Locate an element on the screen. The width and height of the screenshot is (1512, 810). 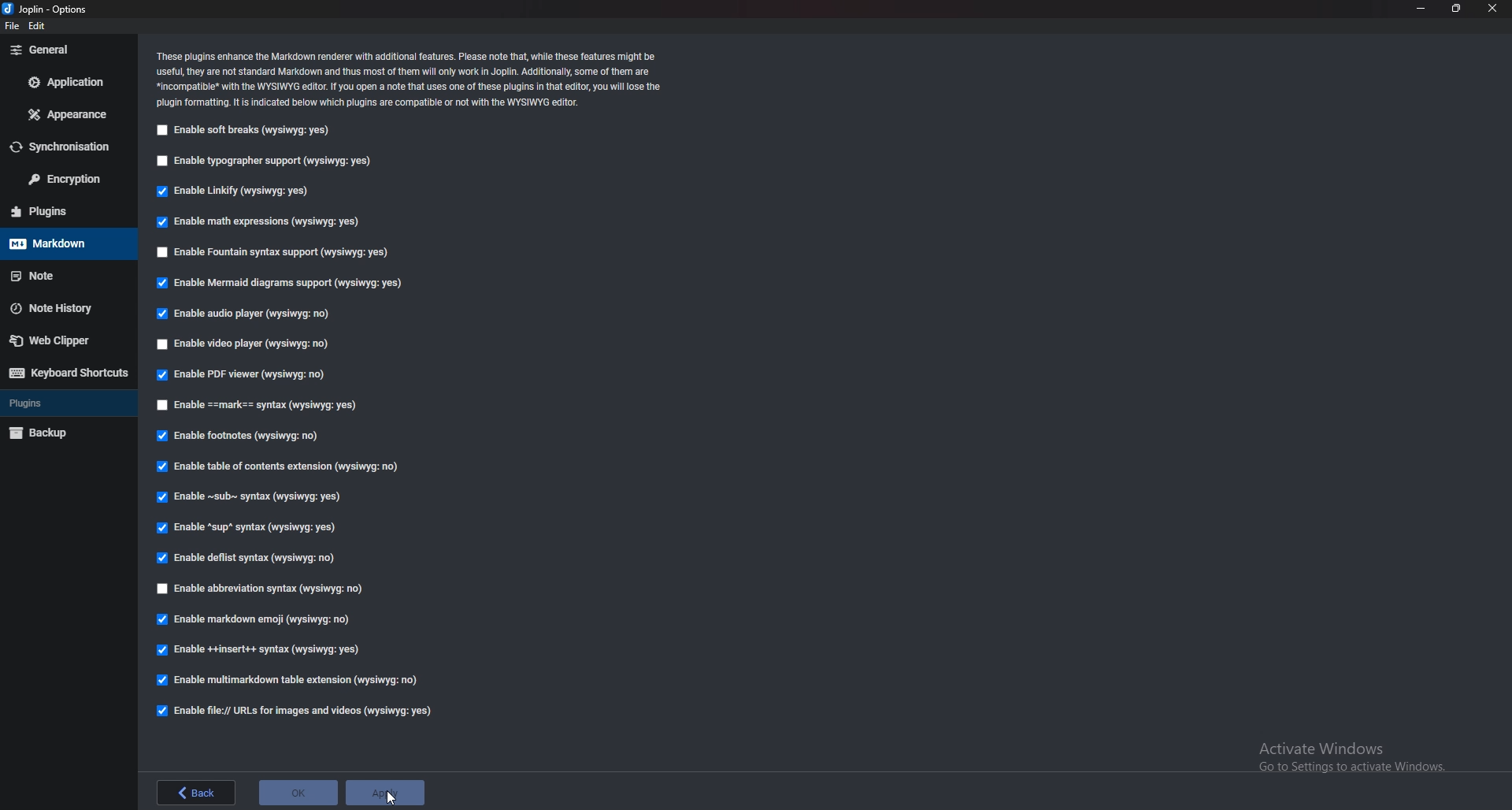
Web Clipper is located at coordinates (61, 340).